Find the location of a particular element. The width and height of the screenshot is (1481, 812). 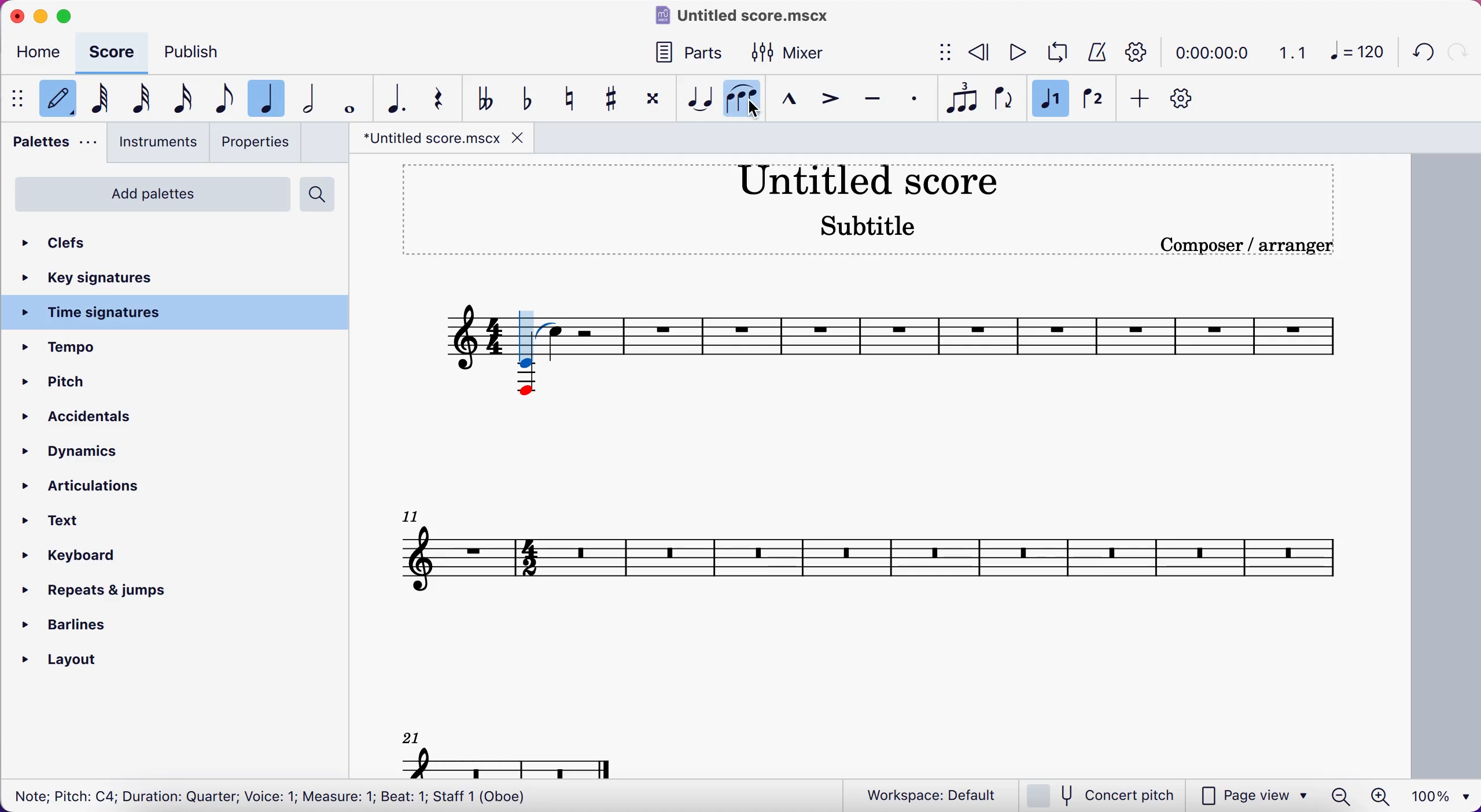

articulations is located at coordinates (105, 488).